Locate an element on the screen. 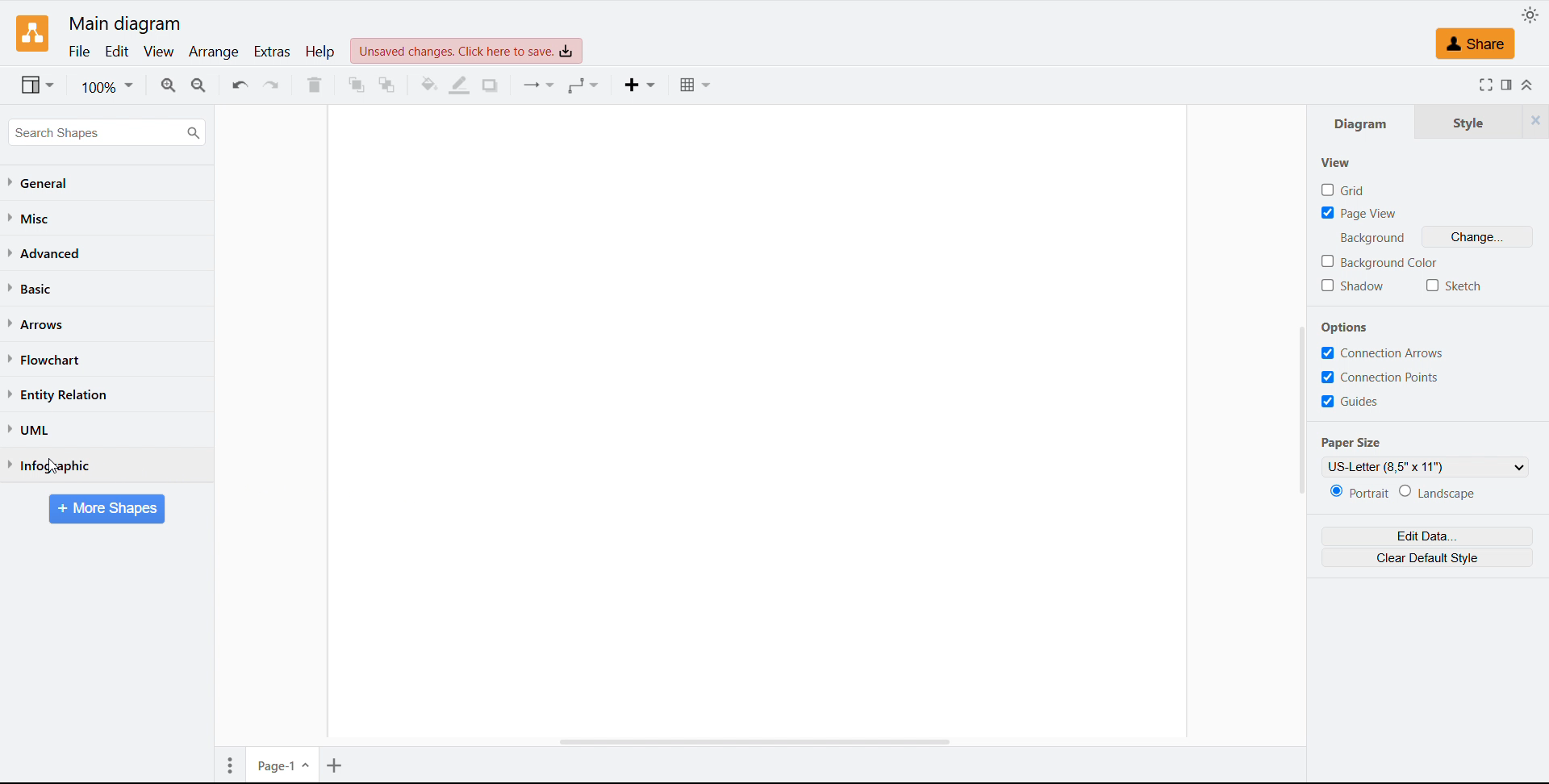 Image resolution: width=1549 pixels, height=784 pixels. View options  is located at coordinates (39, 85).